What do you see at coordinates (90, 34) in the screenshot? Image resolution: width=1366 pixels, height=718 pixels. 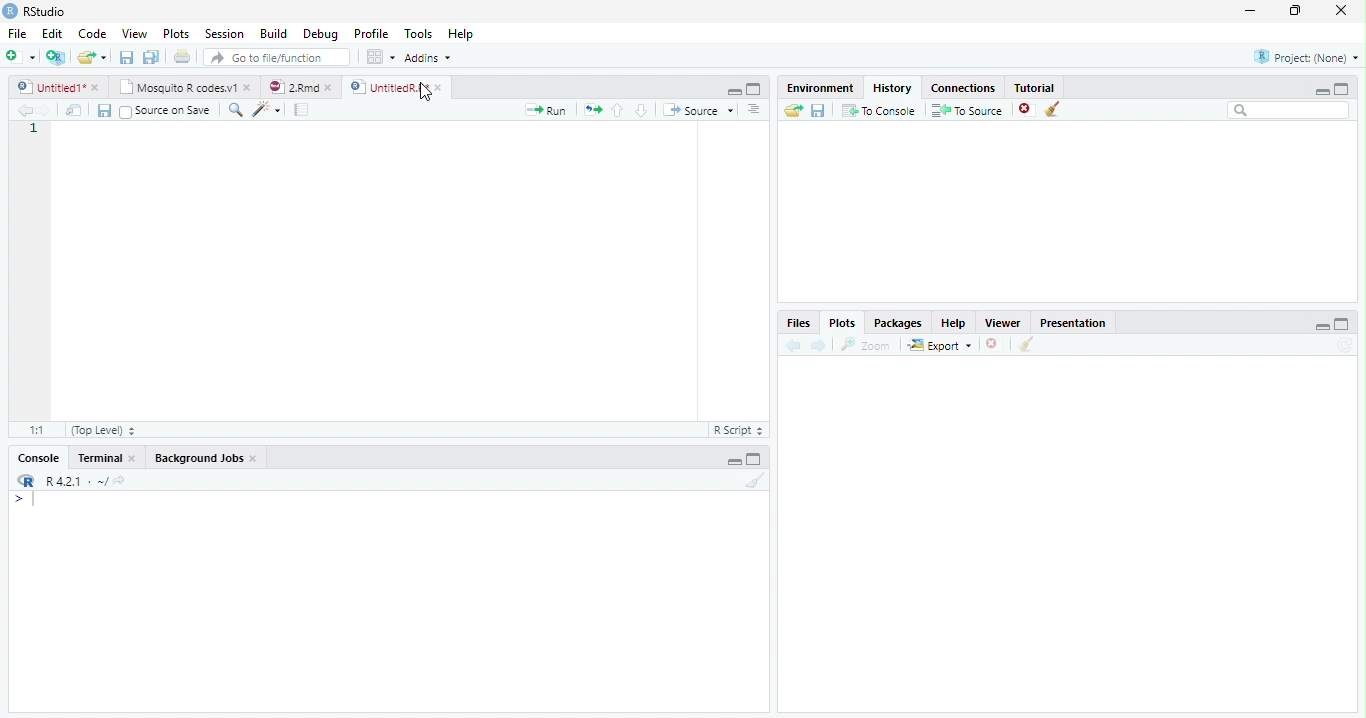 I see `Code` at bounding box center [90, 34].